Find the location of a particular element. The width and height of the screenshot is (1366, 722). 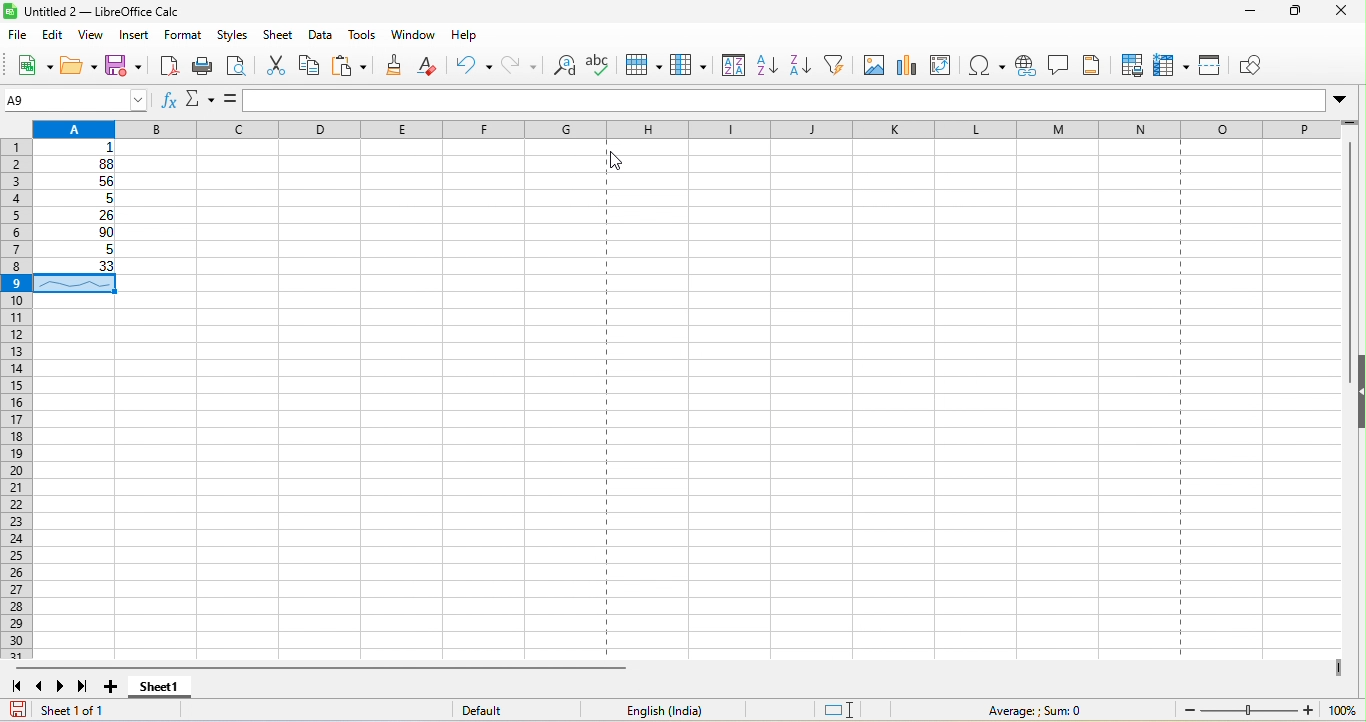

chart is located at coordinates (907, 65).